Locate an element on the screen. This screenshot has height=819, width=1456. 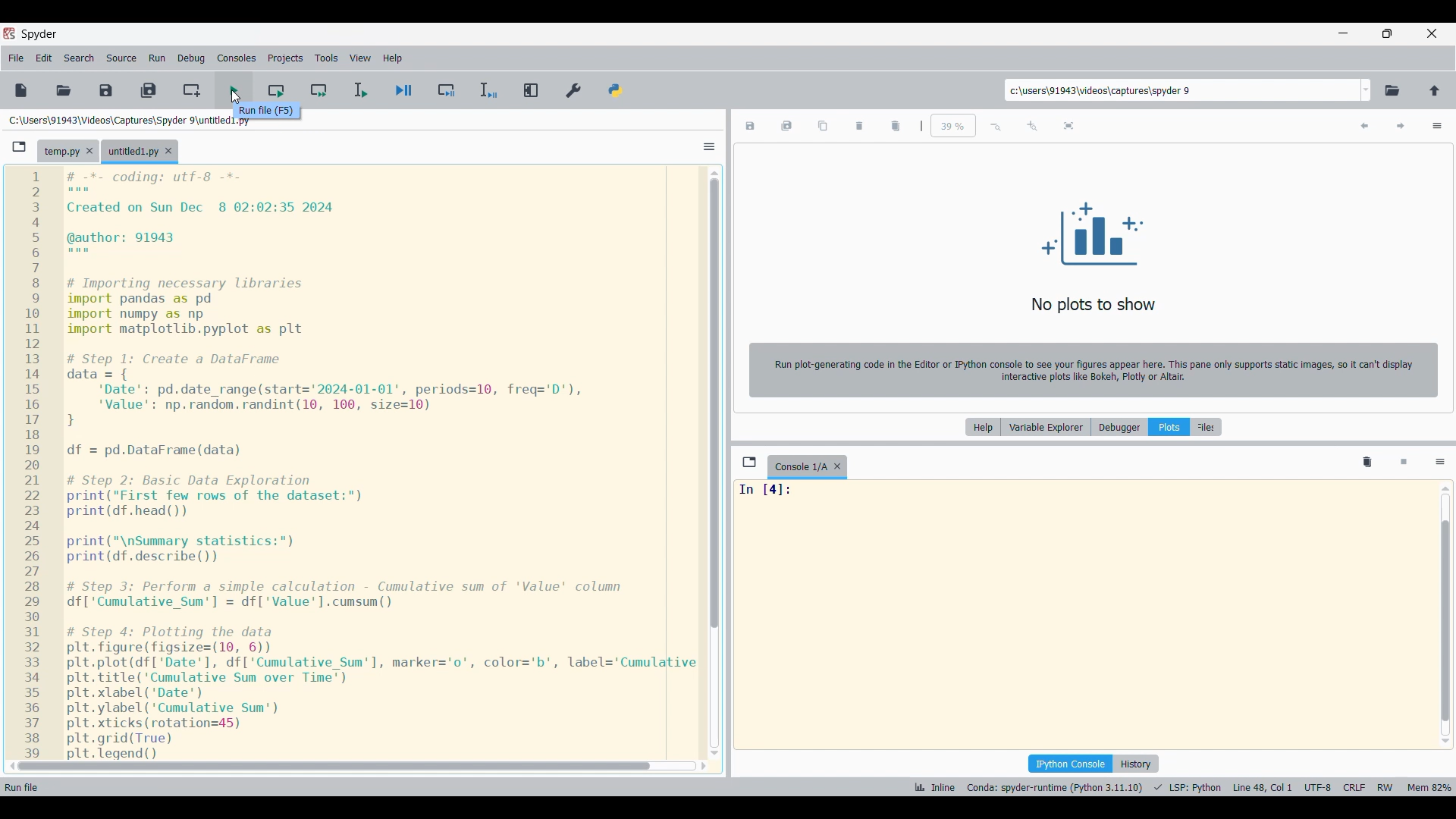
crlf is located at coordinates (1355, 787).